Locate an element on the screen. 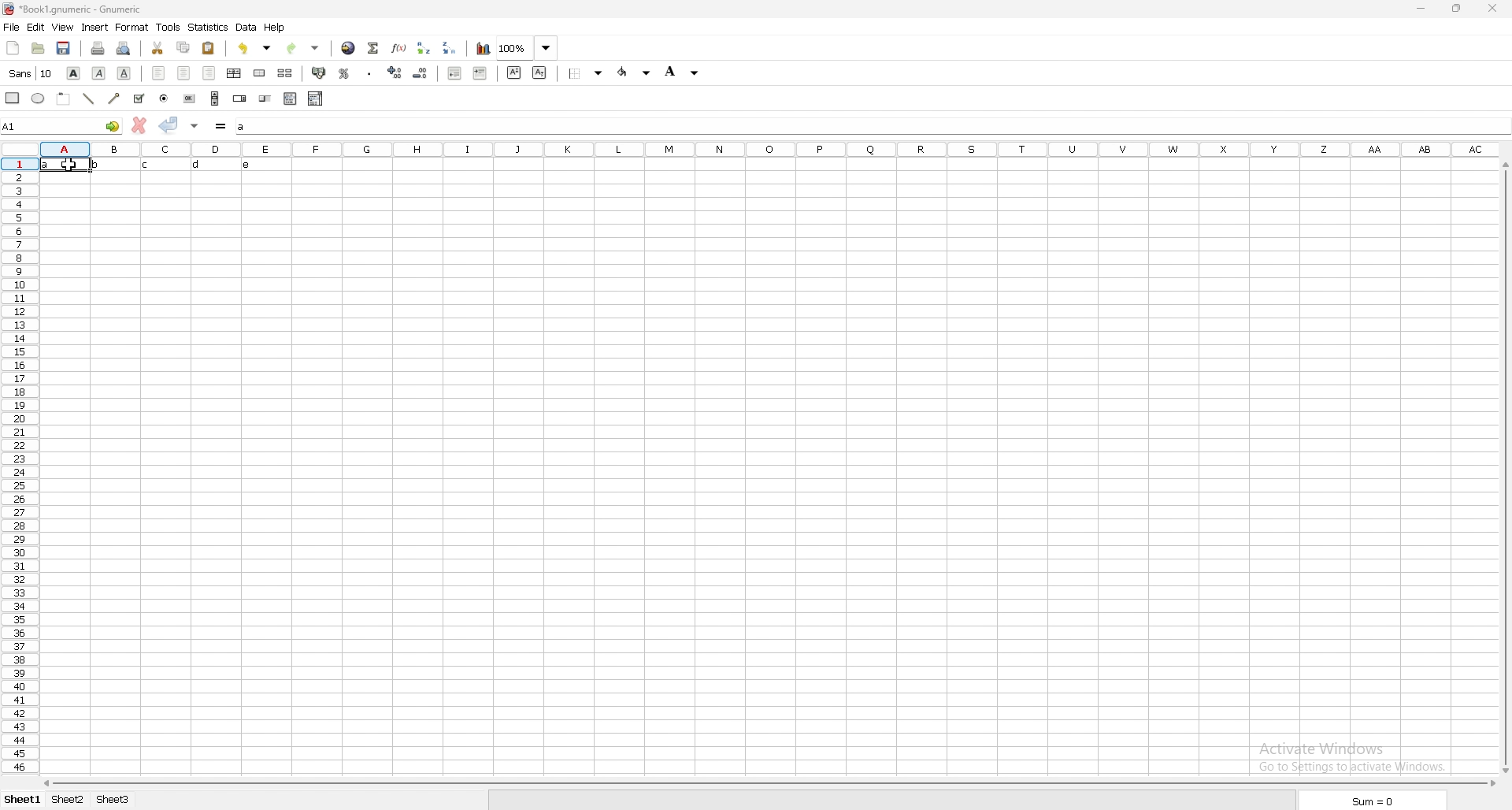 The image size is (1512, 810). zoom is located at coordinates (528, 48).